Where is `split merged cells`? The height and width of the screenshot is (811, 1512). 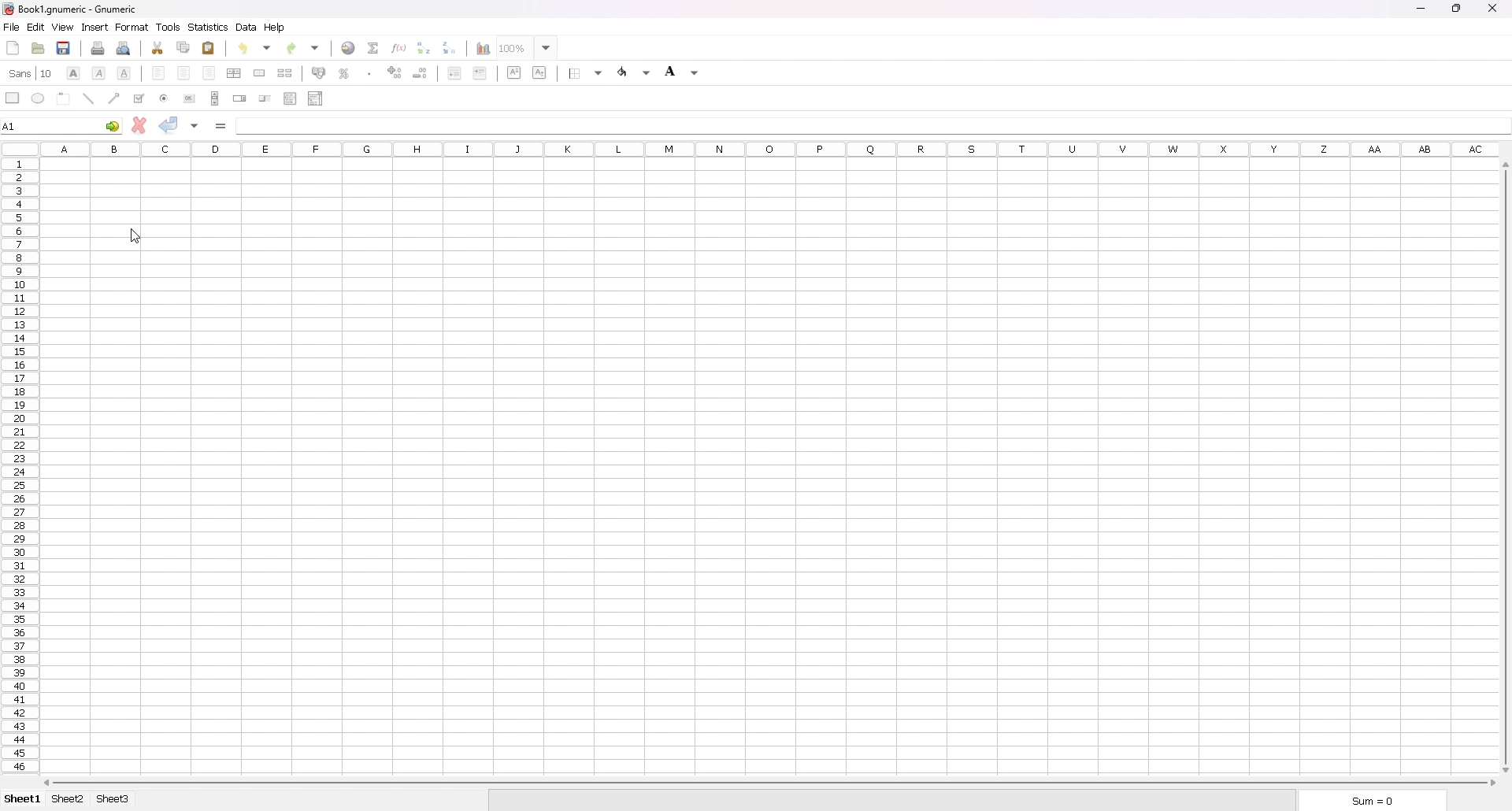
split merged cells is located at coordinates (285, 73).